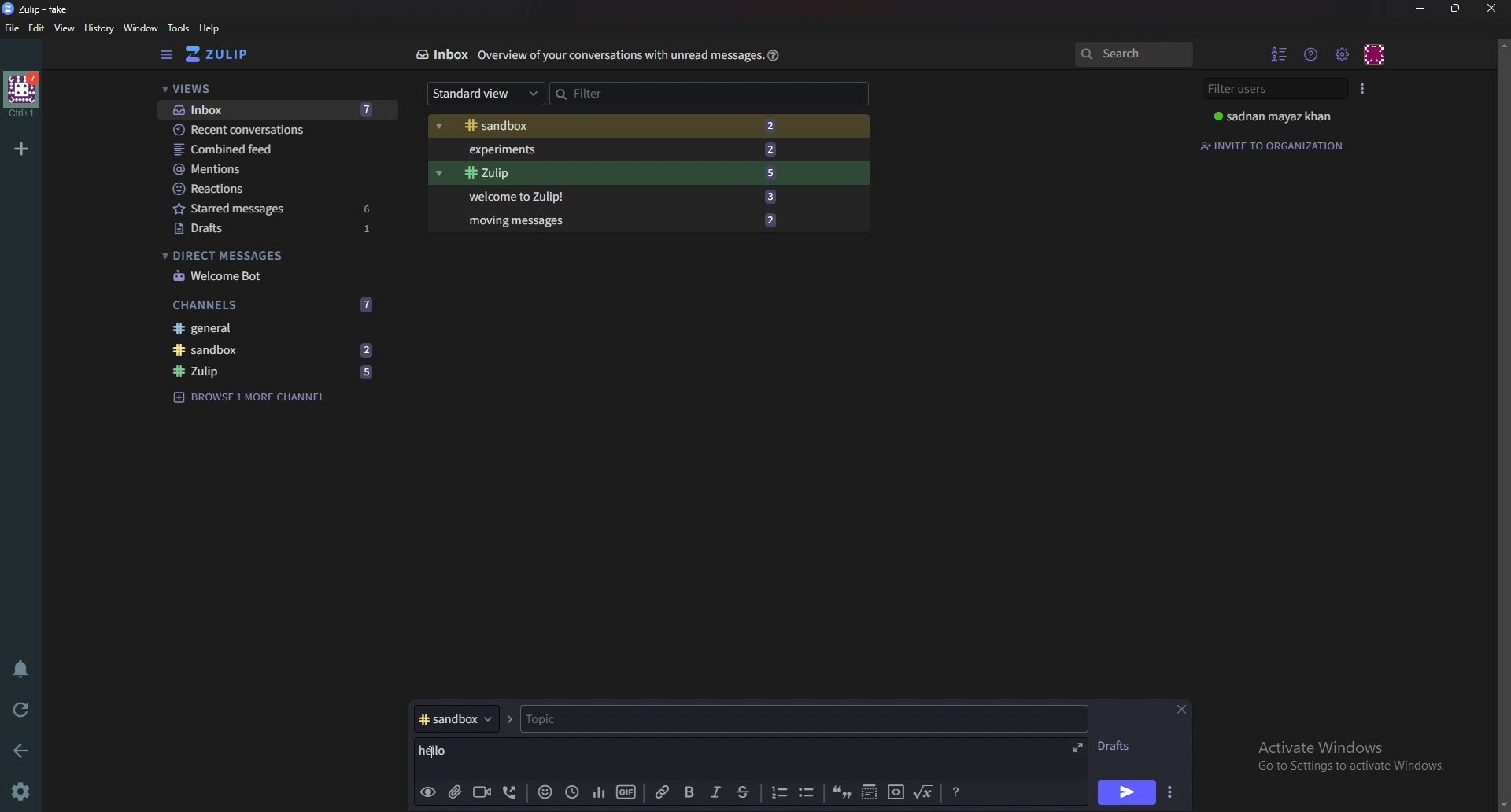  What do you see at coordinates (597, 793) in the screenshot?
I see `Poll` at bounding box center [597, 793].